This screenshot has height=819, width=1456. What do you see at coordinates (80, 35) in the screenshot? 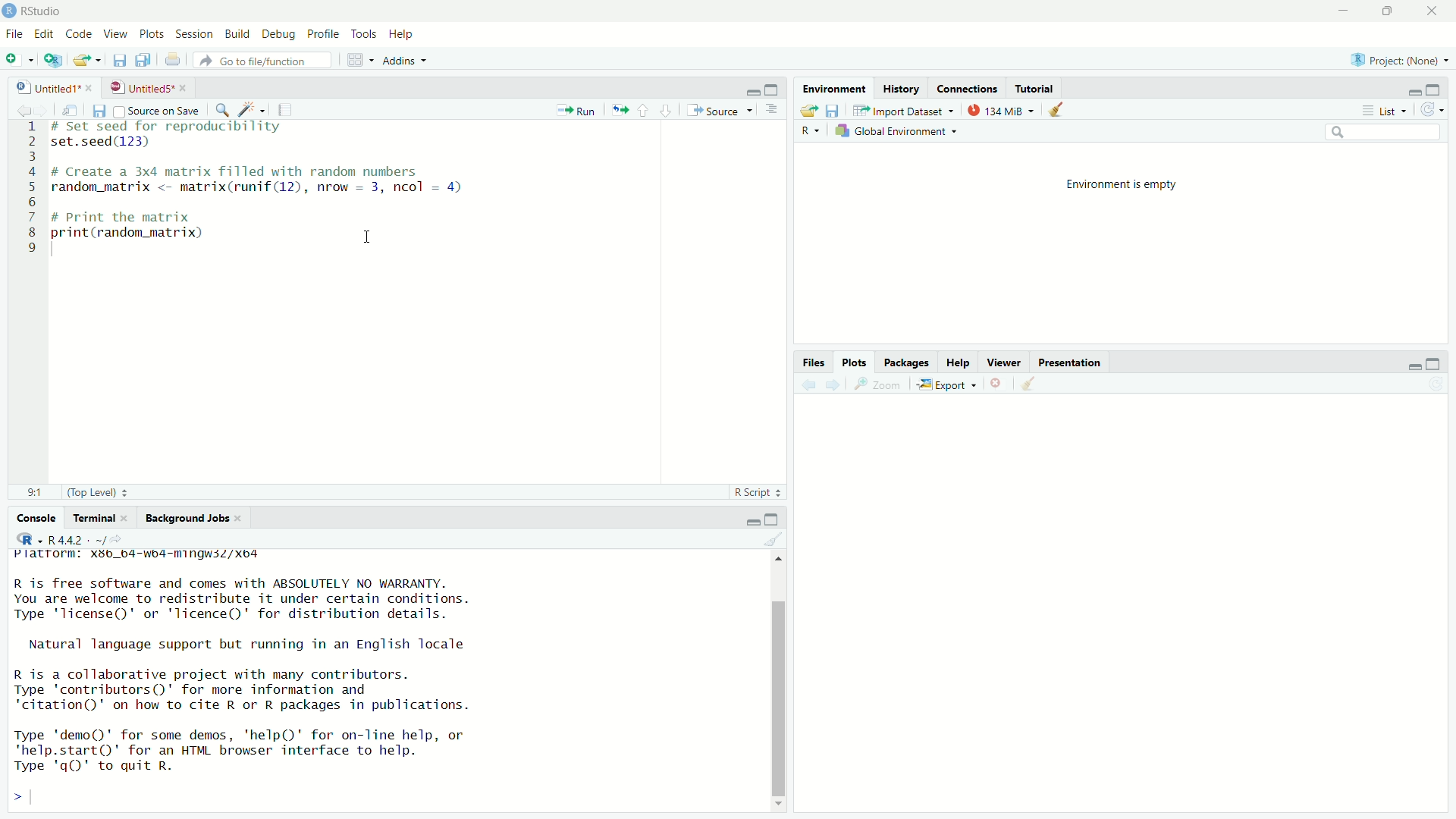
I see `Code` at bounding box center [80, 35].